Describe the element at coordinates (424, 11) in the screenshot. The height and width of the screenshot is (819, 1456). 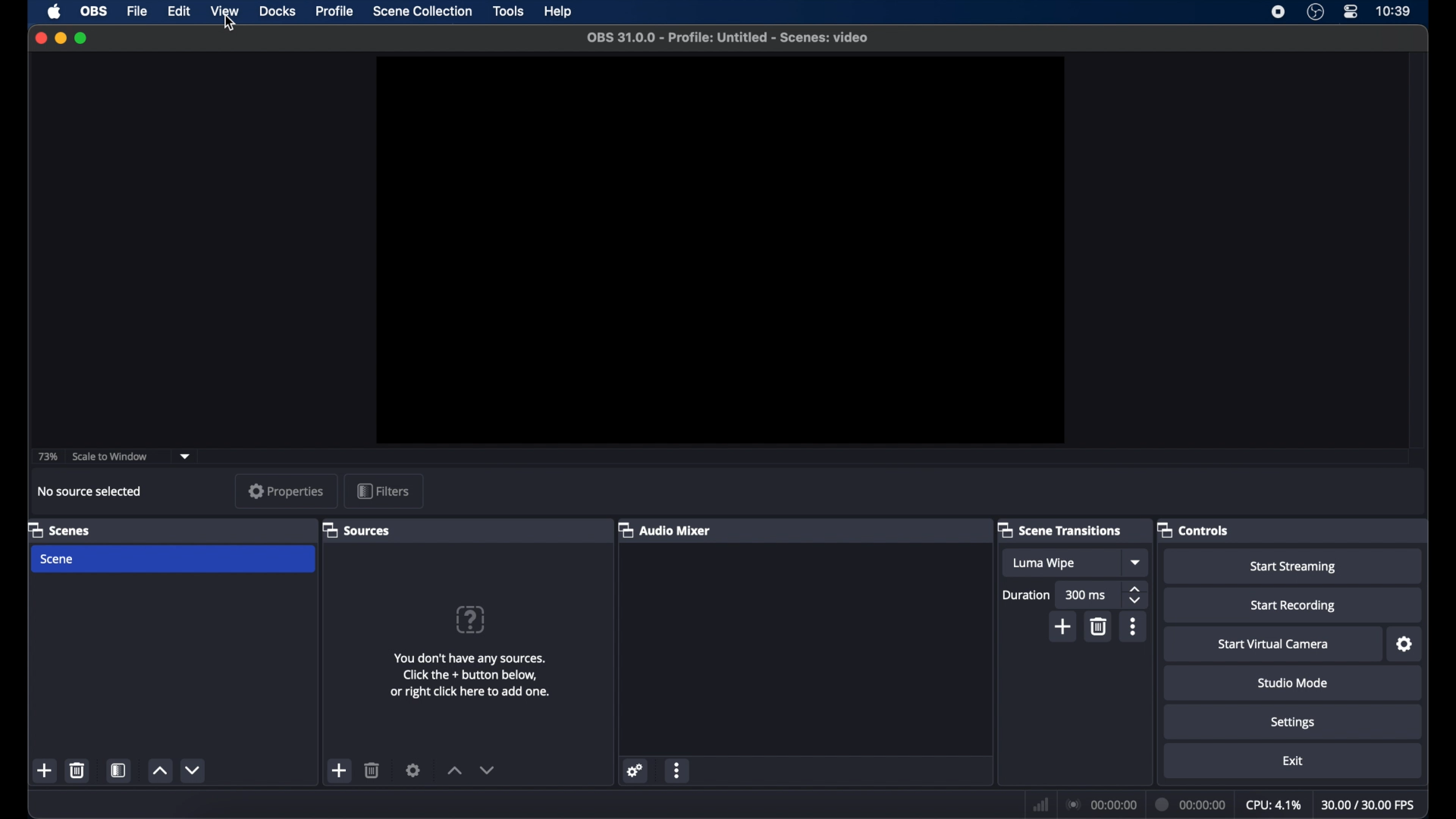
I see `scene collection` at that location.